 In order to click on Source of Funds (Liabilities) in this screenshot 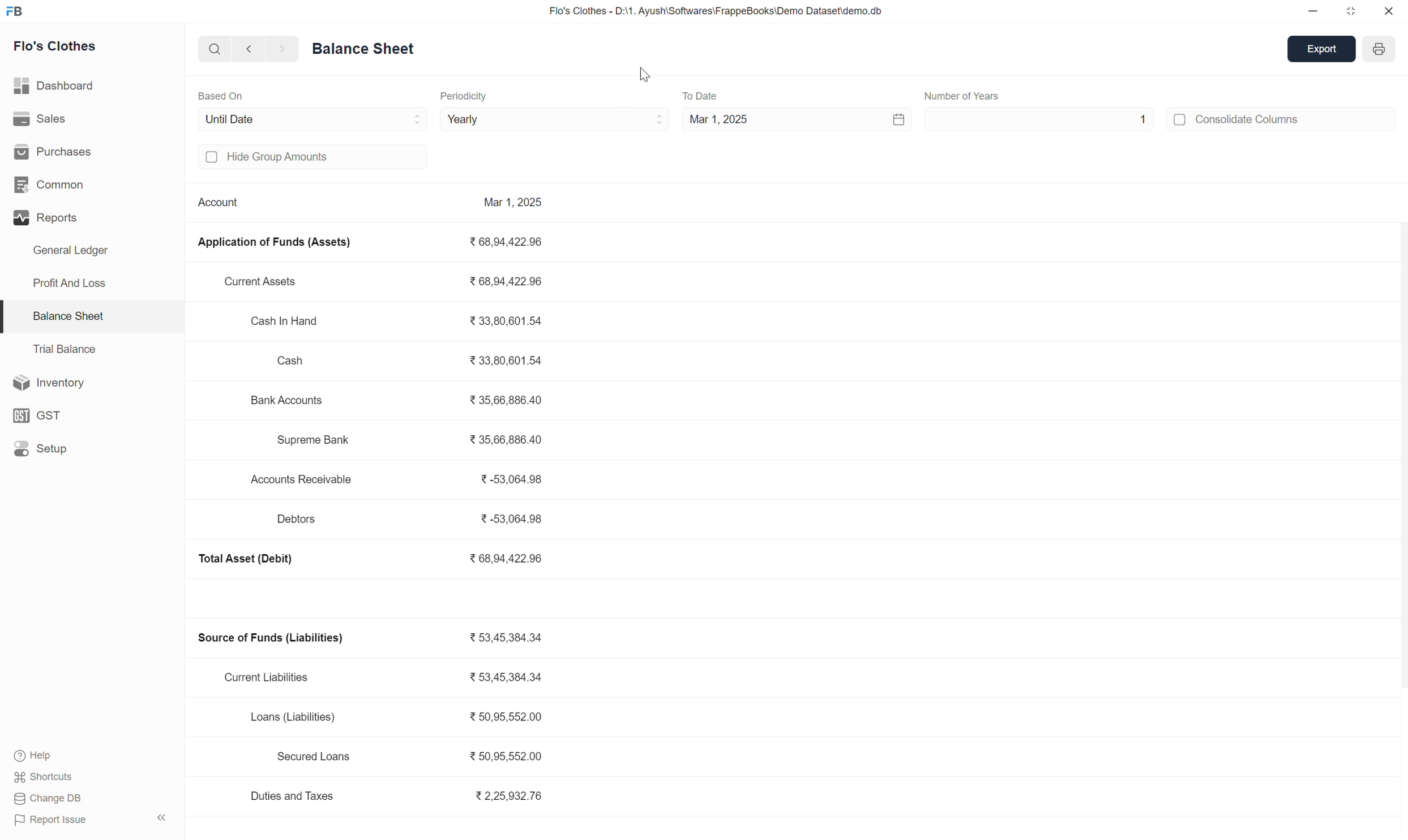, I will do `click(272, 560)`.